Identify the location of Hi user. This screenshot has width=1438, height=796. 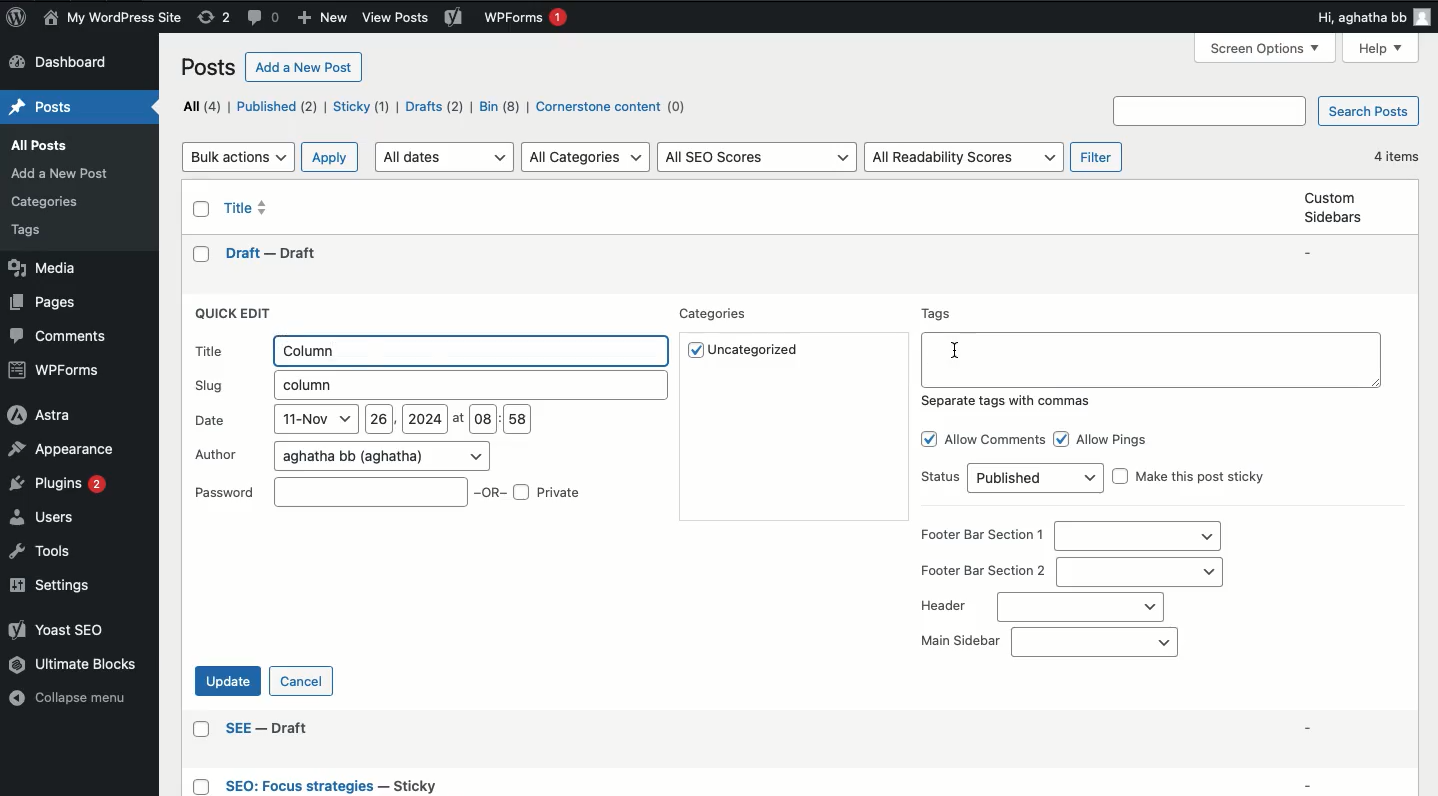
(1373, 17).